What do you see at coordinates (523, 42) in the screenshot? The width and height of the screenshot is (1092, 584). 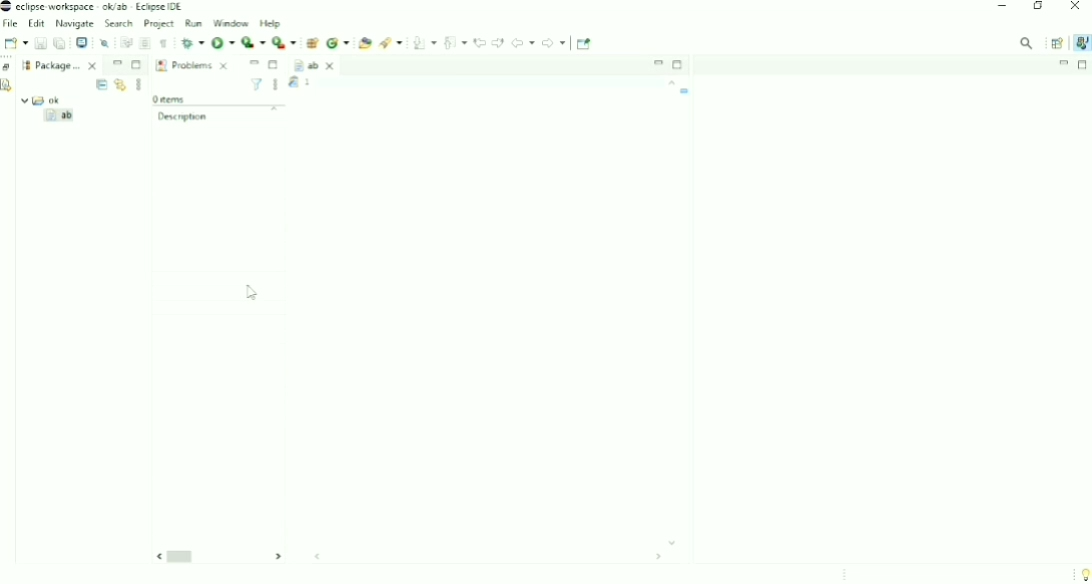 I see `Back` at bounding box center [523, 42].